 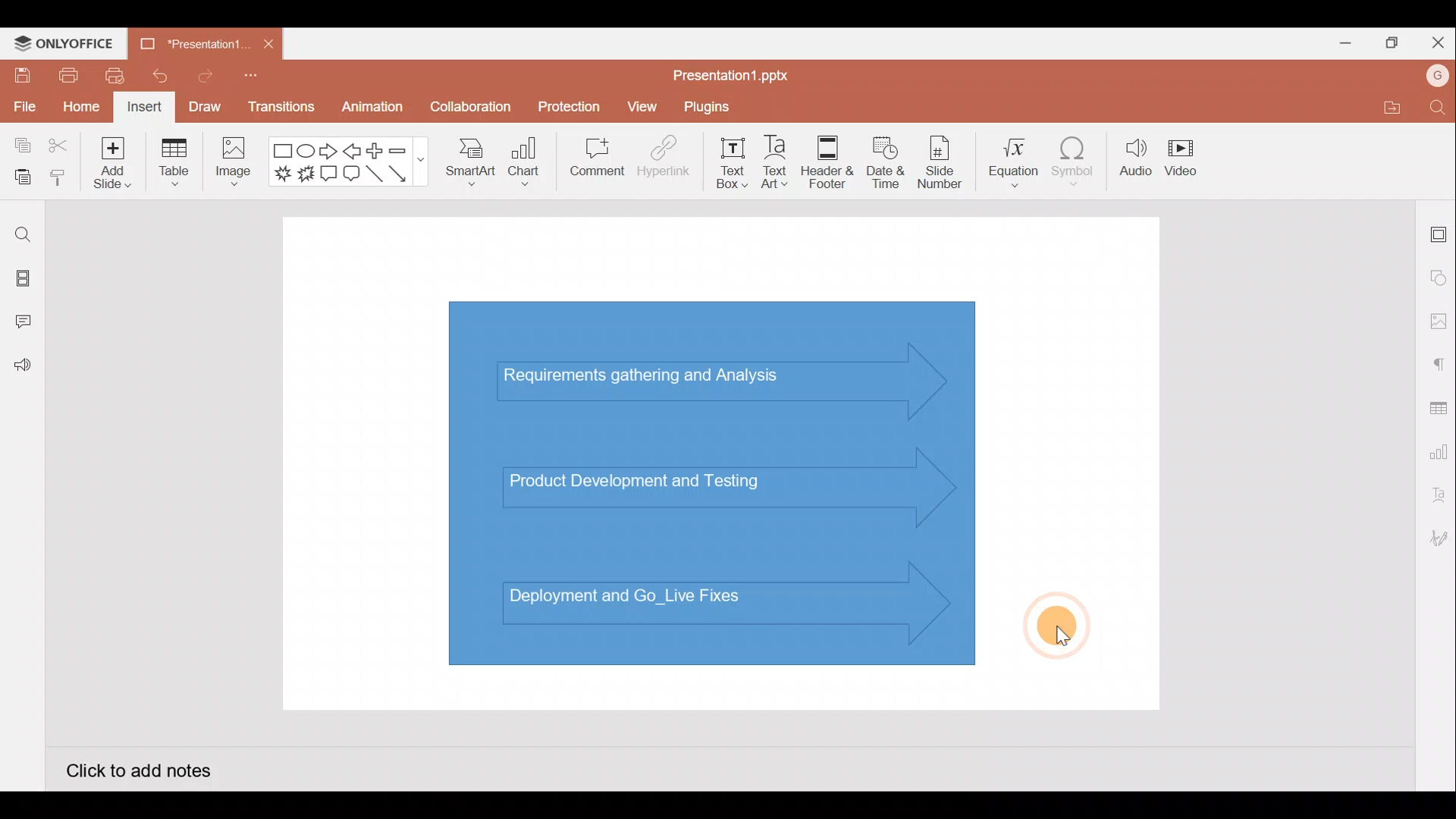 What do you see at coordinates (64, 43) in the screenshot?
I see `ONLYOFFICE` at bounding box center [64, 43].